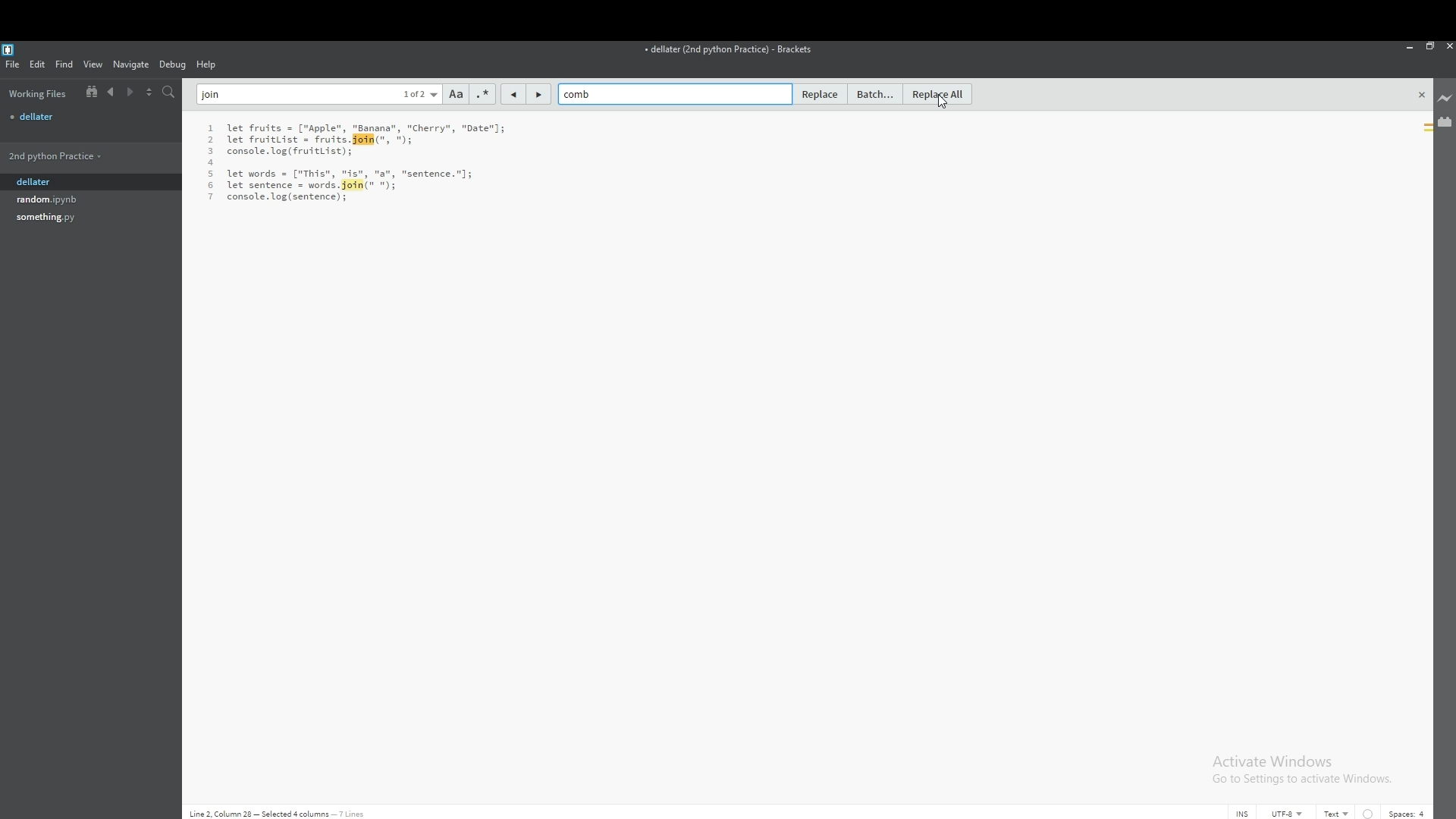 This screenshot has height=819, width=1456. I want to click on replace text, so click(579, 93).